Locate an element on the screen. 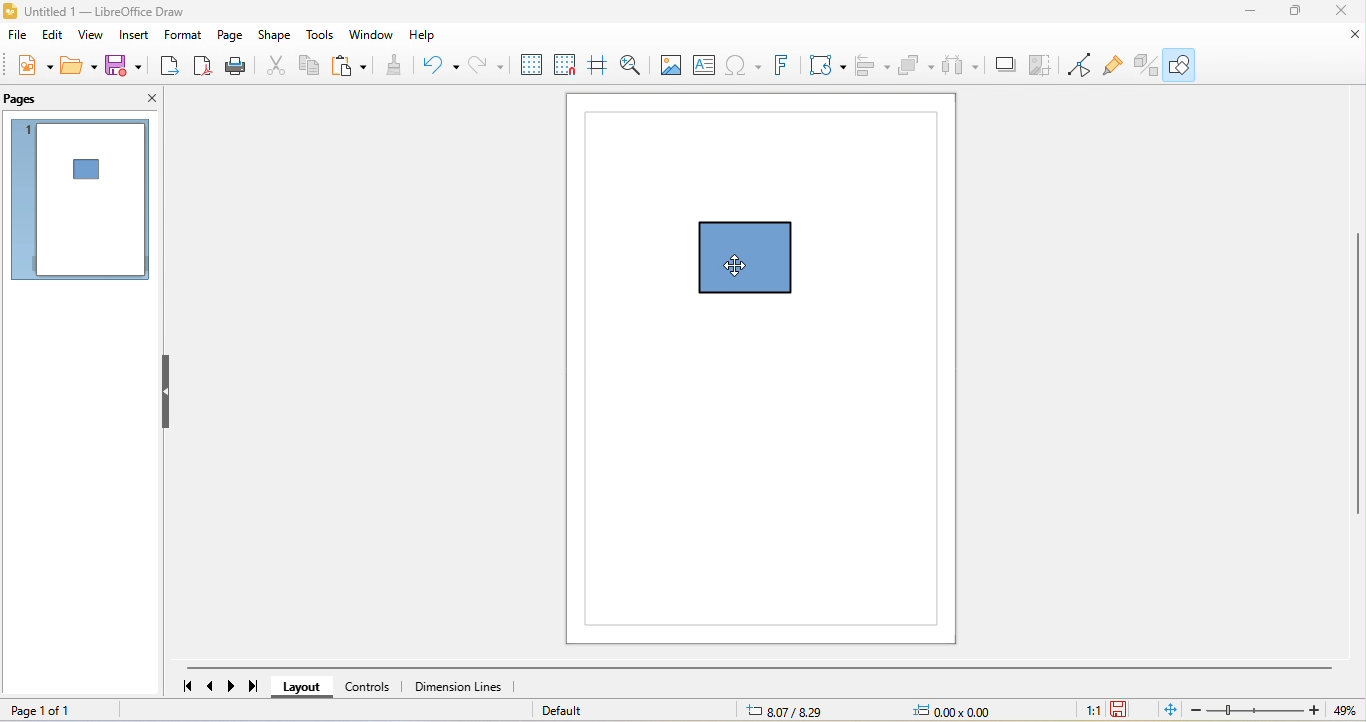 This screenshot has height=722, width=1366. edit is located at coordinates (54, 36).